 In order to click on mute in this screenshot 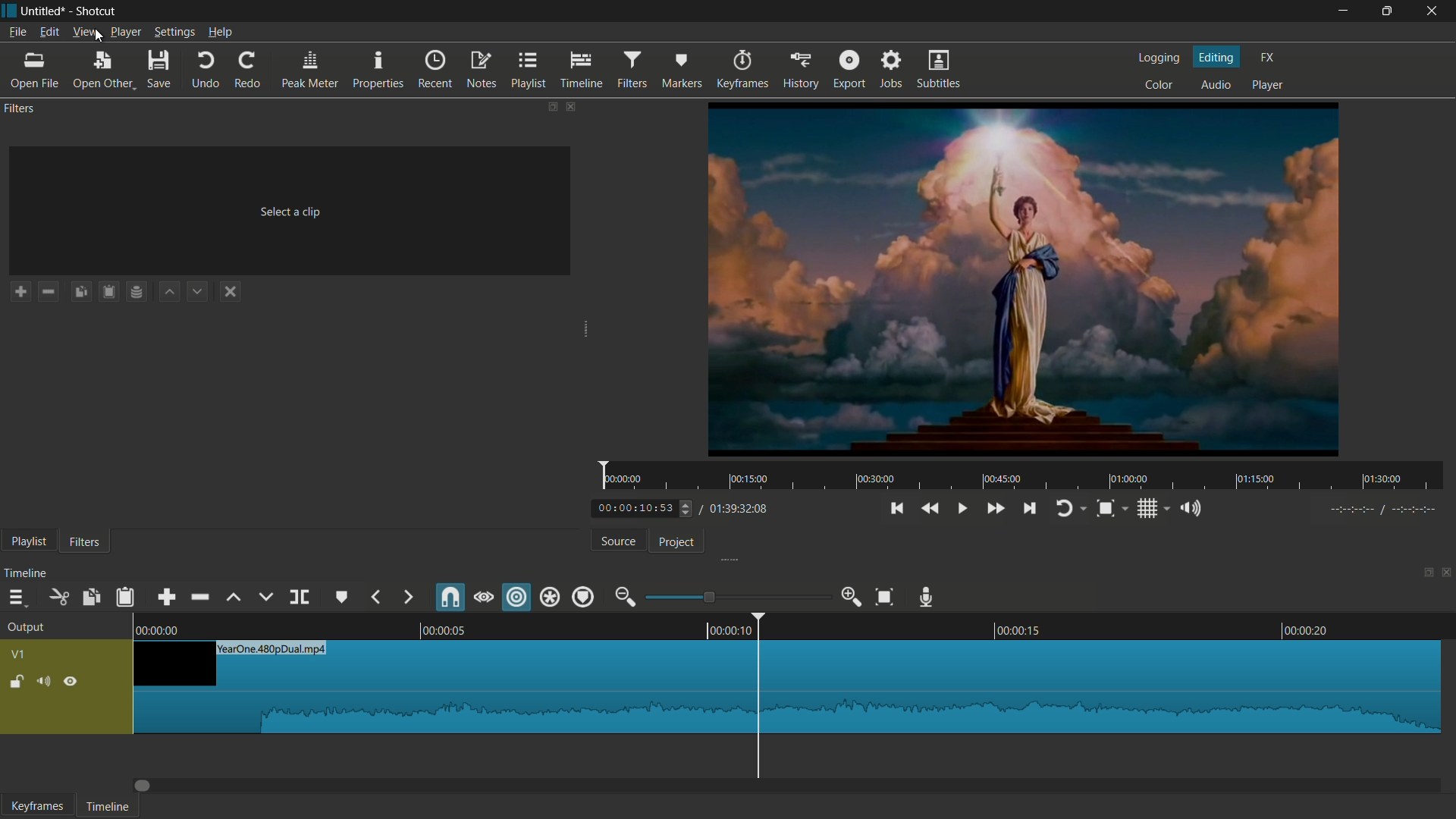, I will do `click(46, 682)`.